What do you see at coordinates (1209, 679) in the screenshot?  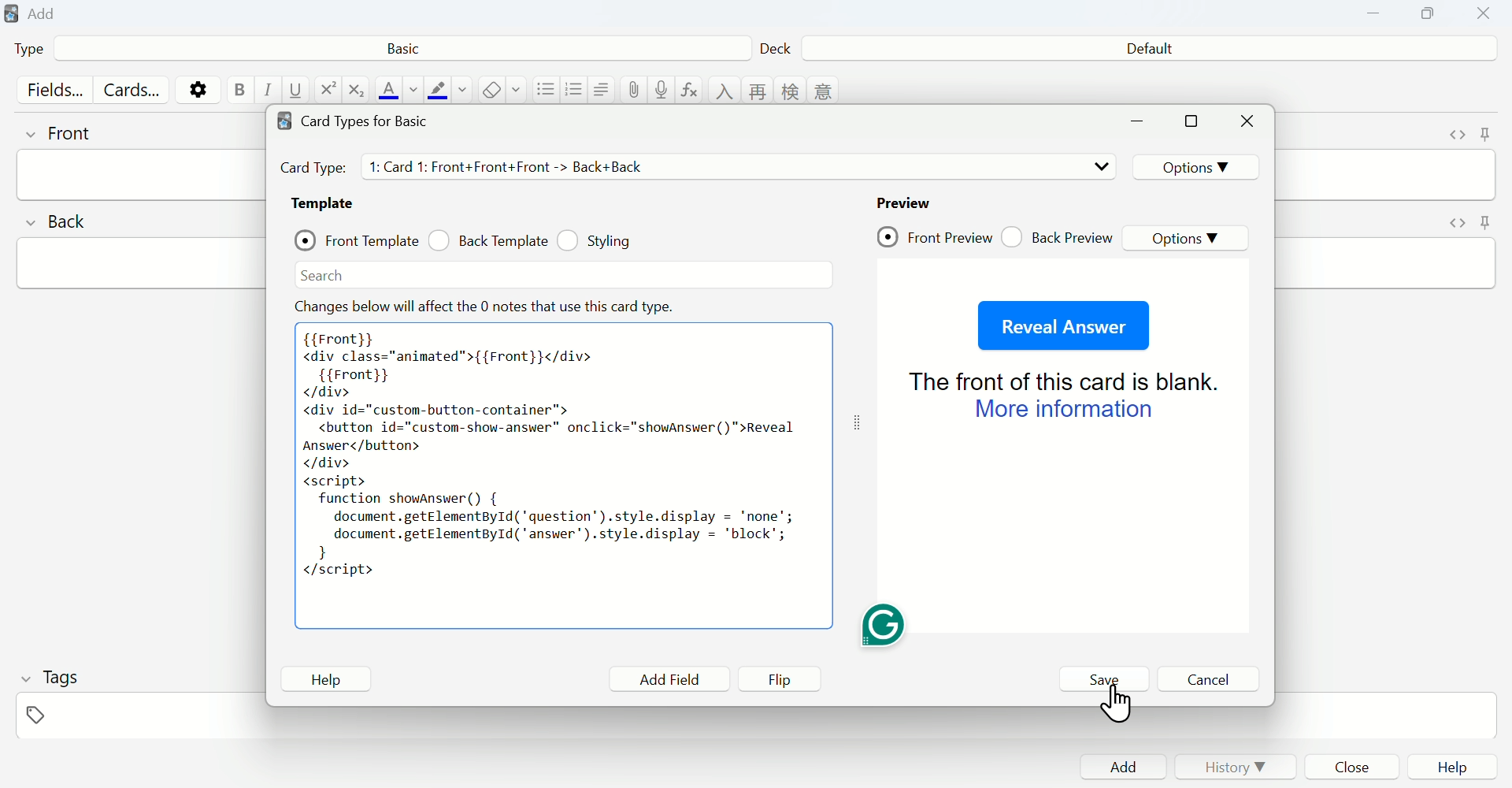 I see `Cancel` at bounding box center [1209, 679].